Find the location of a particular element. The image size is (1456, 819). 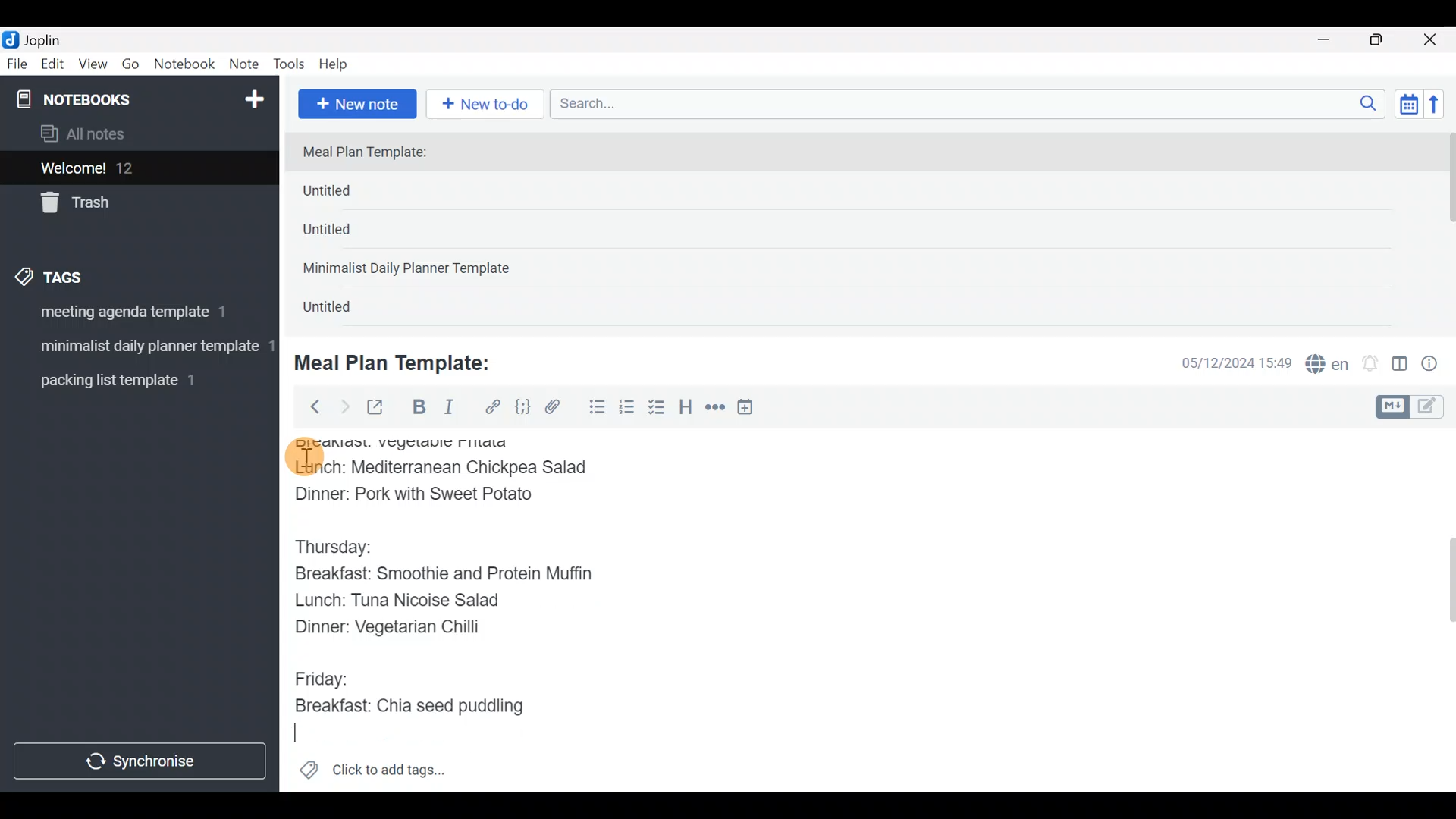

Click to add tags is located at coordinates (372, 775).